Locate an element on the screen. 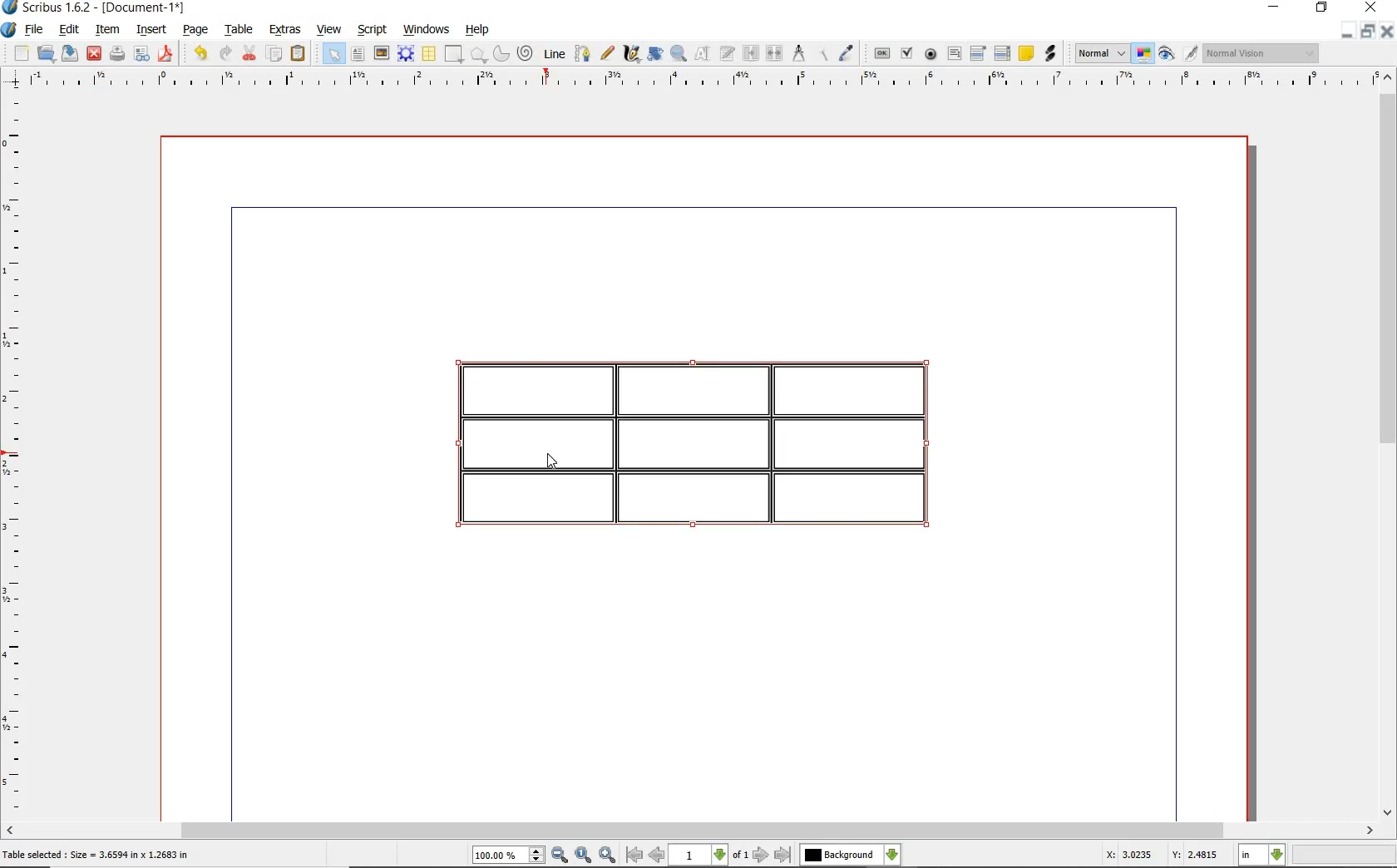  edit is located at coordinates (67, 29).